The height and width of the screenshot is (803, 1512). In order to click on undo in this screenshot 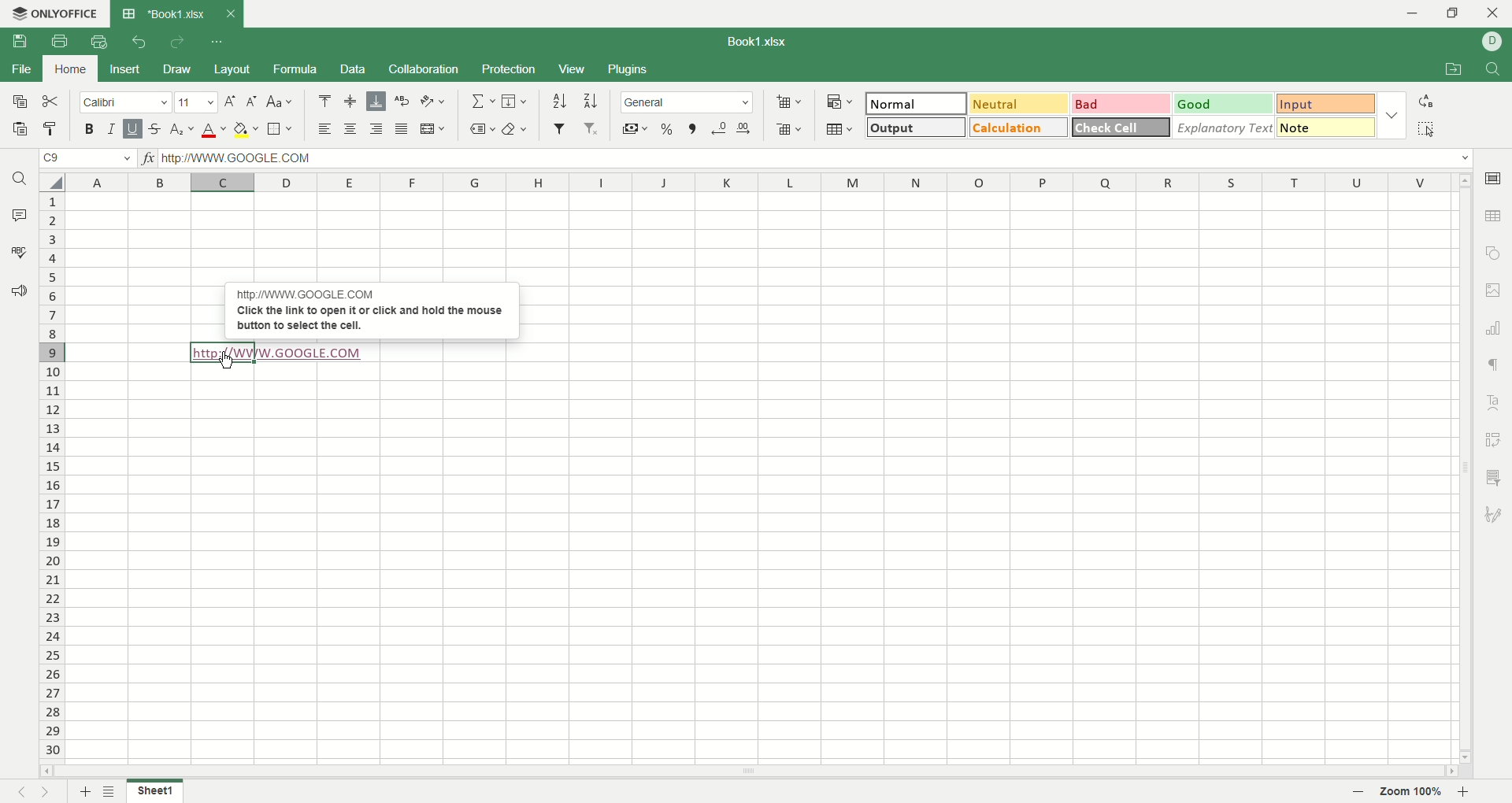, I will do `click(140, 42)`.